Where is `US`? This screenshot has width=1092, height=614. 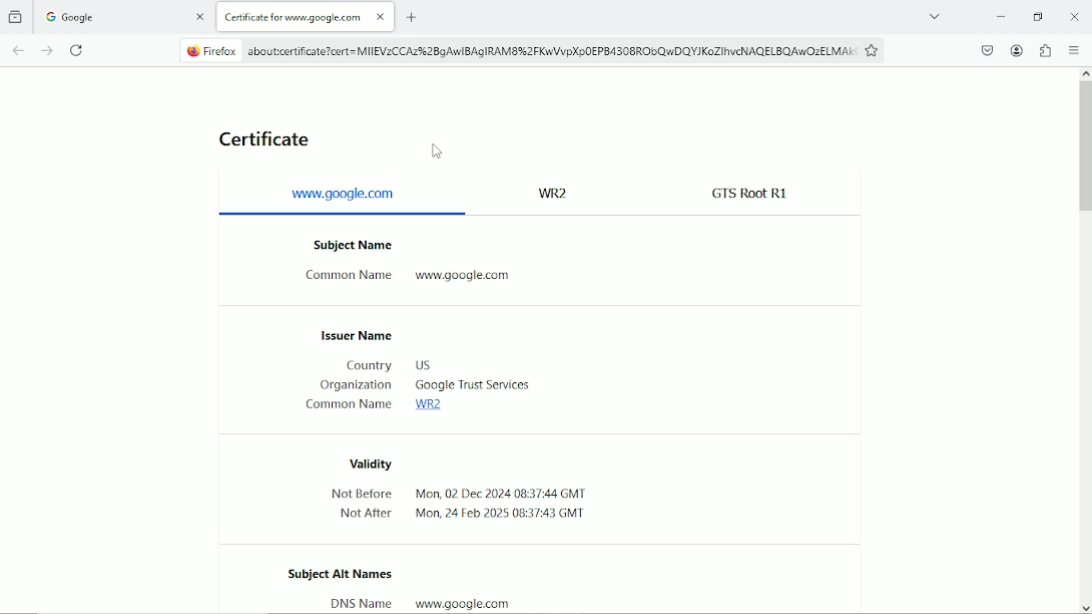
US is located at coordinates (421, 366).